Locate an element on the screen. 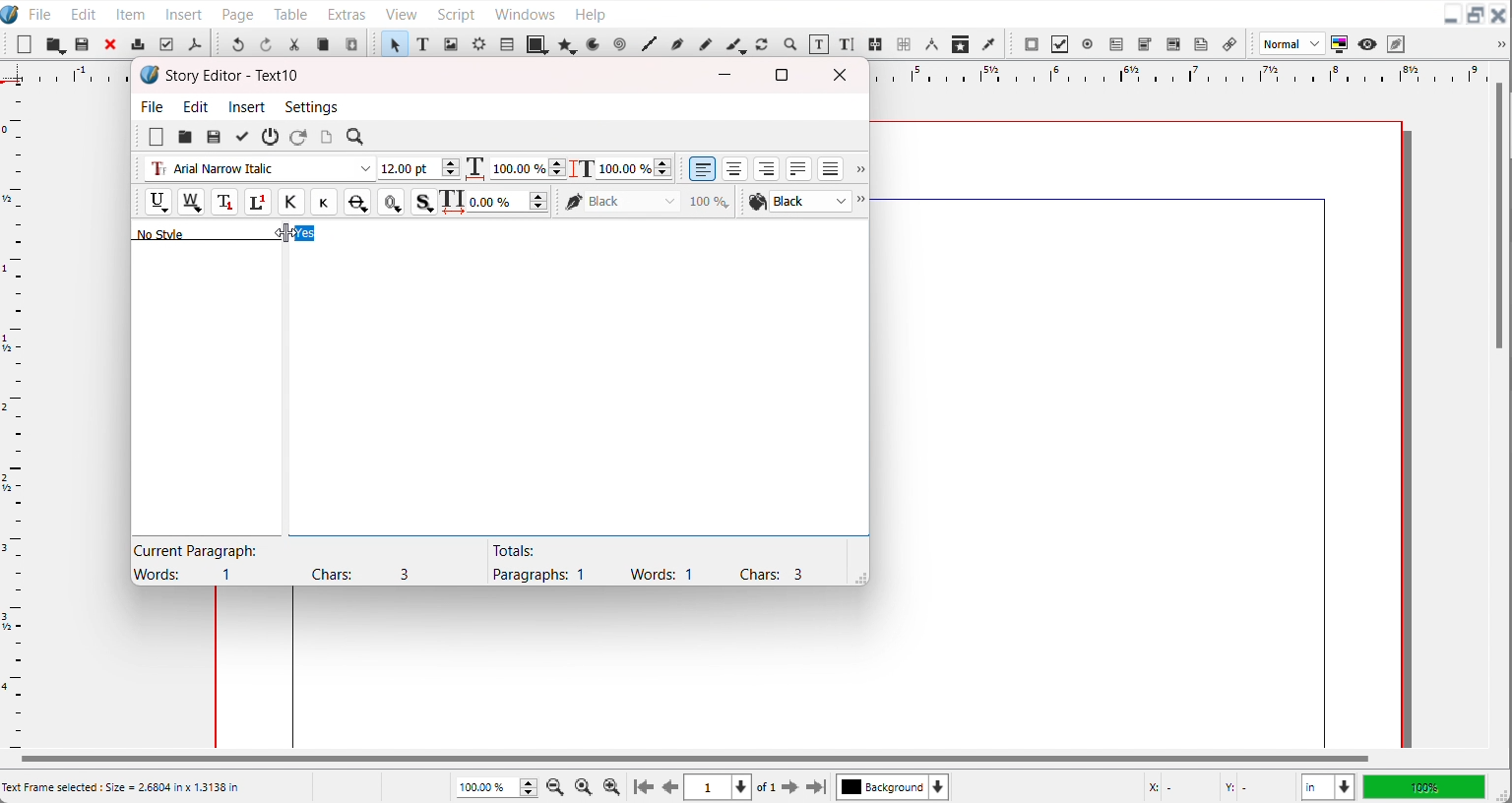  Text Annotation is located at coordinates (1201, 44).